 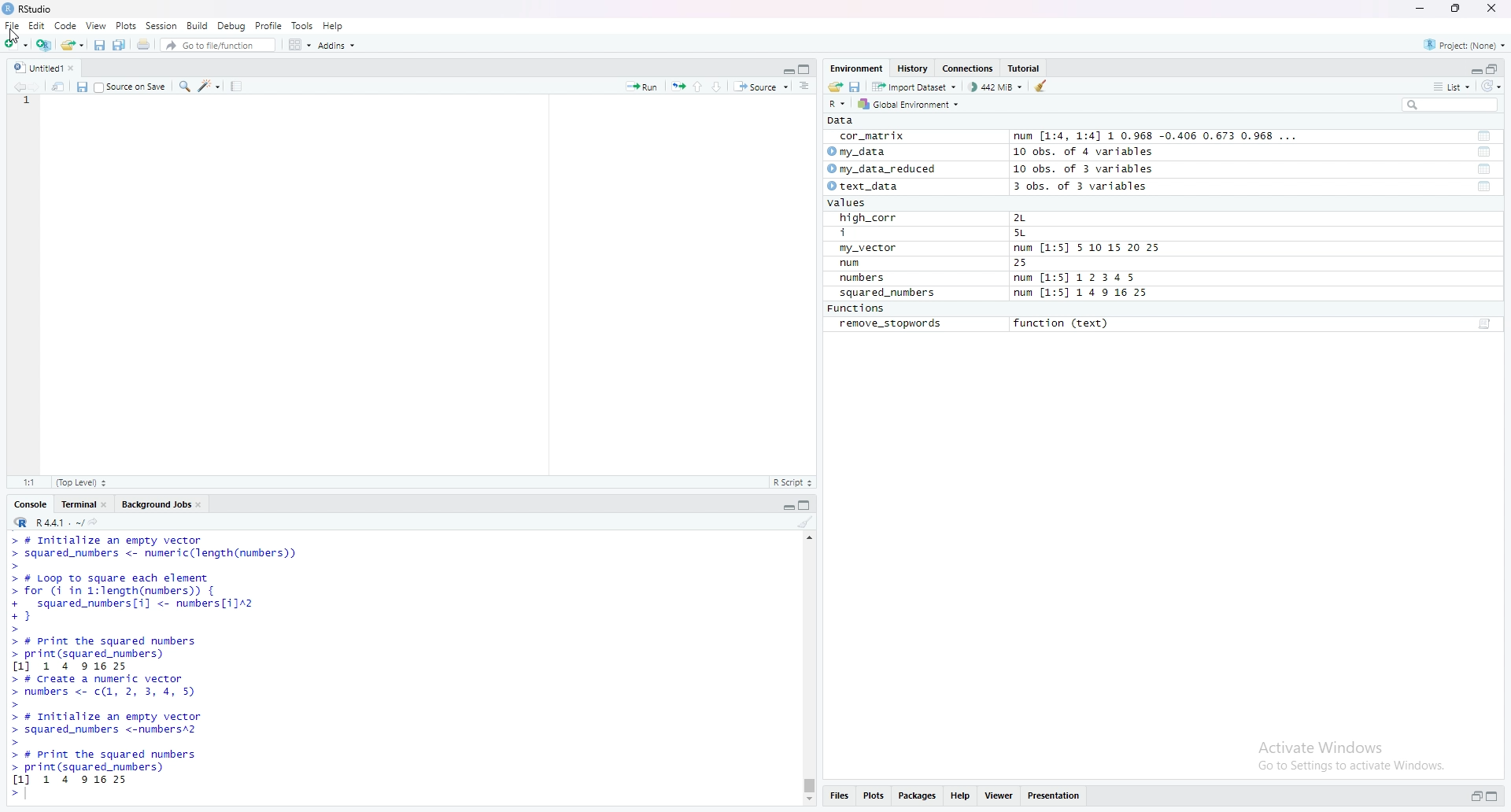 I want to click on Up, so click(x=702, y=86).